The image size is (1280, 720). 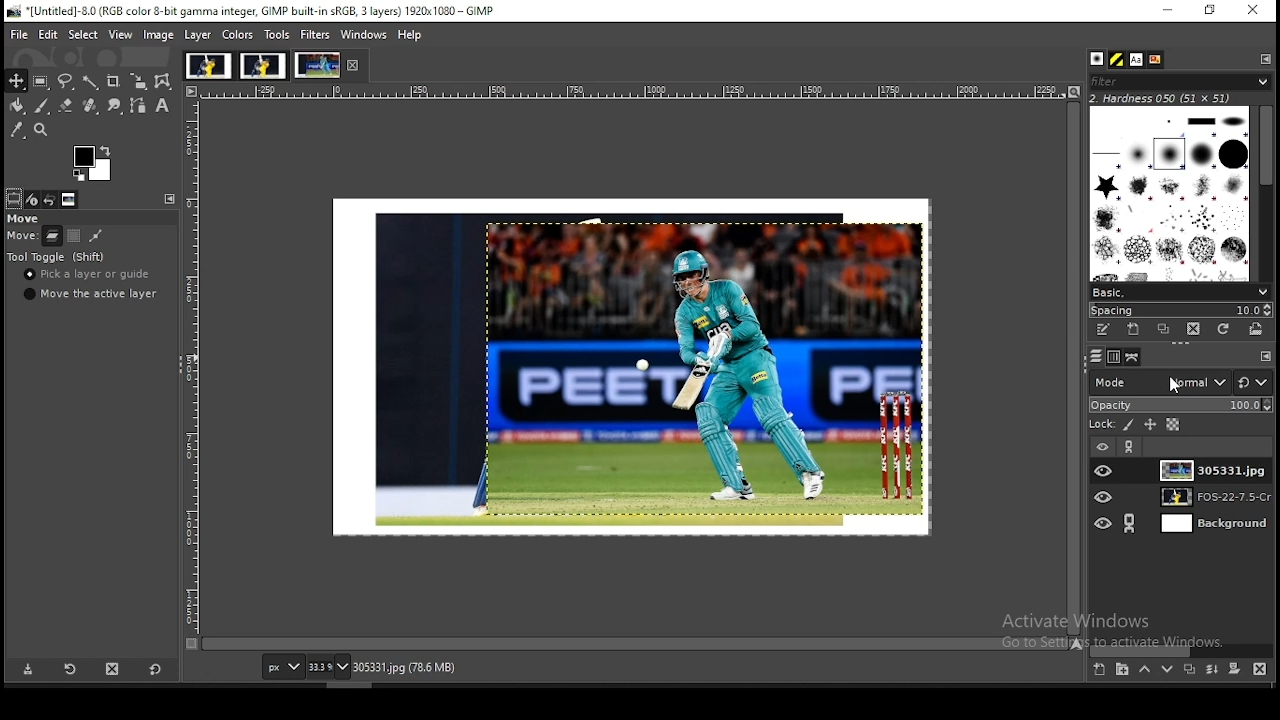 I want to click on save tool preset, so click(x=25, y=670).